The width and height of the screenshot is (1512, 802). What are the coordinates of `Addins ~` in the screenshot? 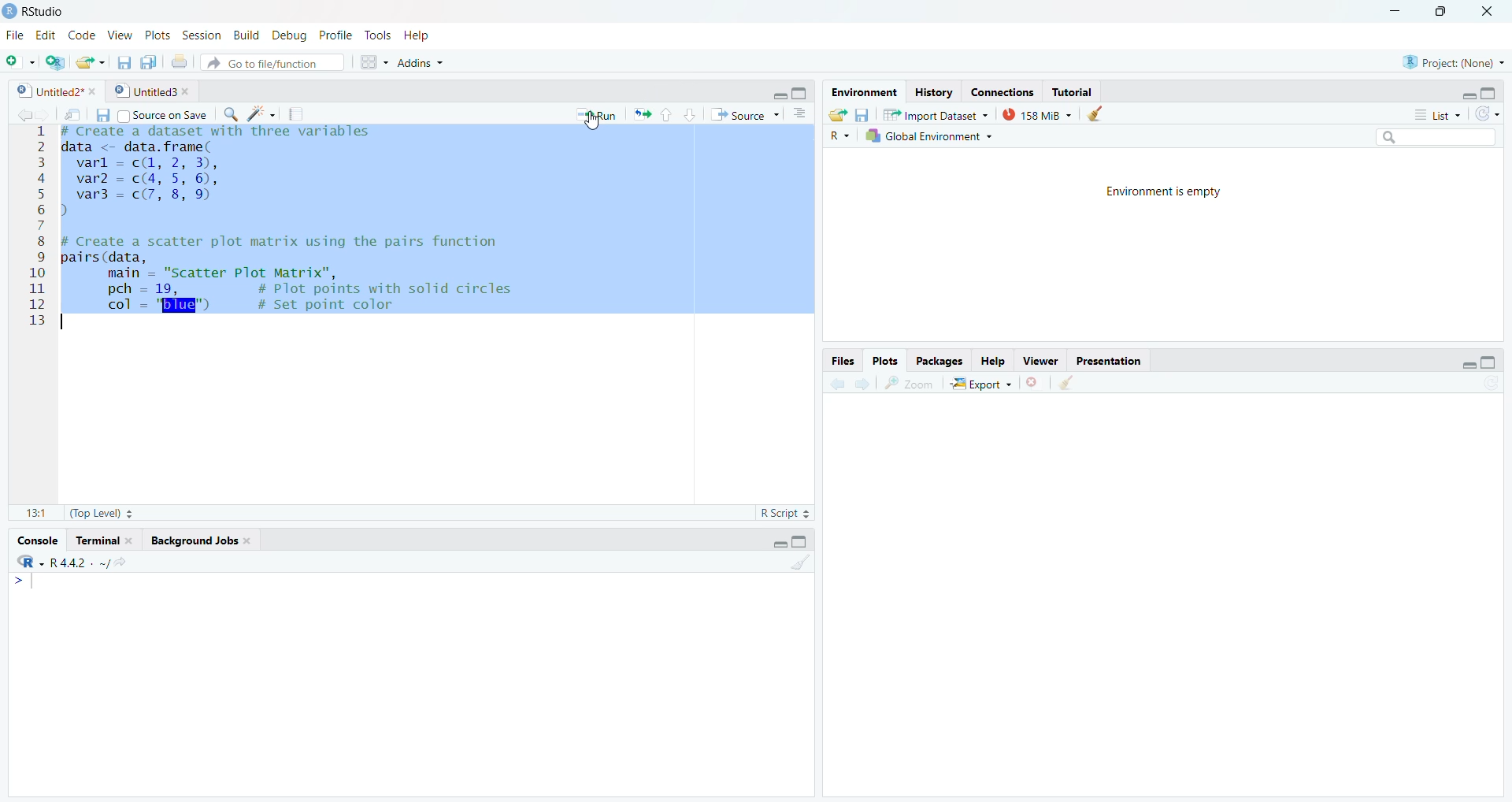 It's located at (423, 66).